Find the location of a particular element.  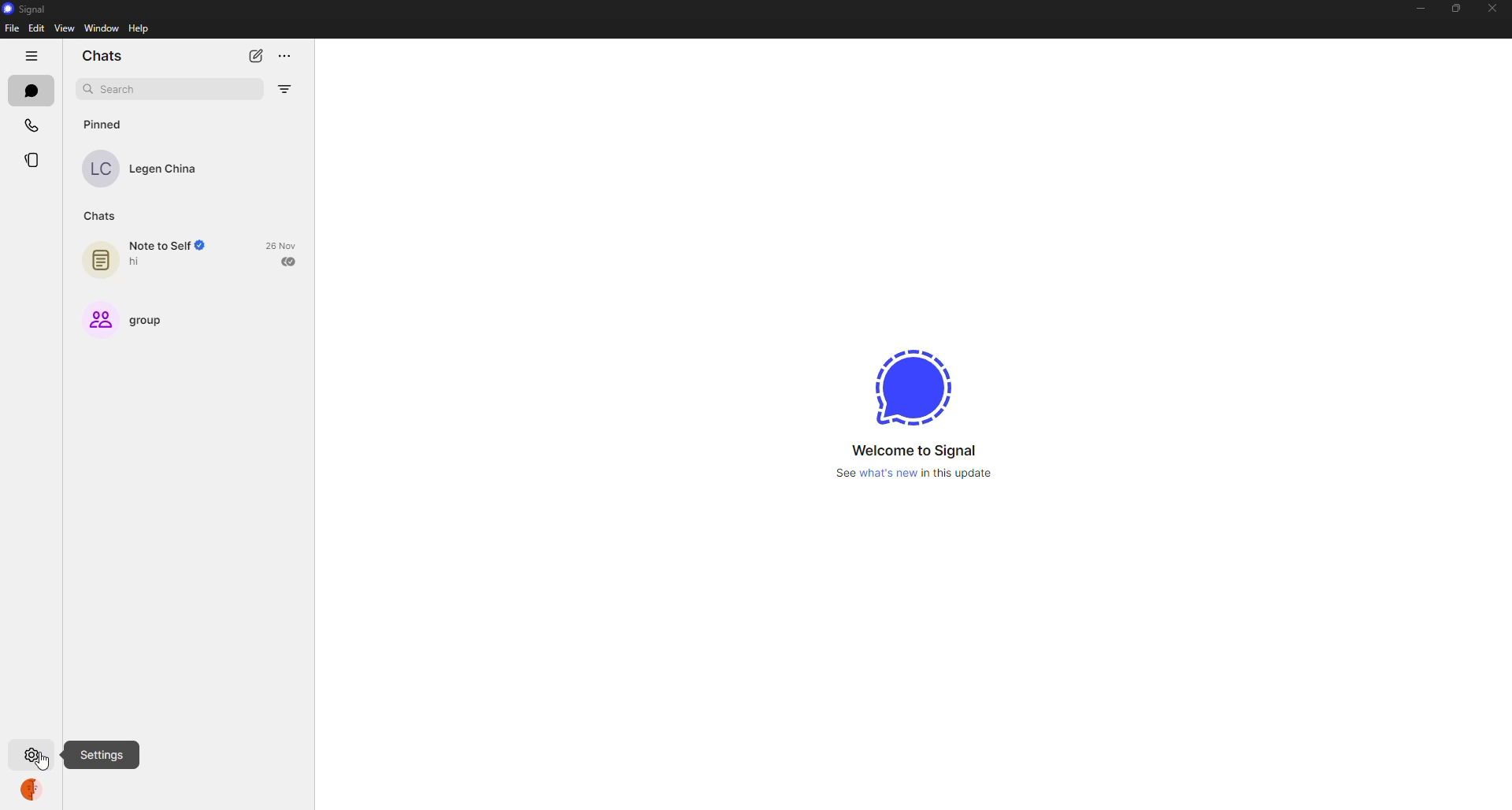

group is located at coordinates (129, 319).